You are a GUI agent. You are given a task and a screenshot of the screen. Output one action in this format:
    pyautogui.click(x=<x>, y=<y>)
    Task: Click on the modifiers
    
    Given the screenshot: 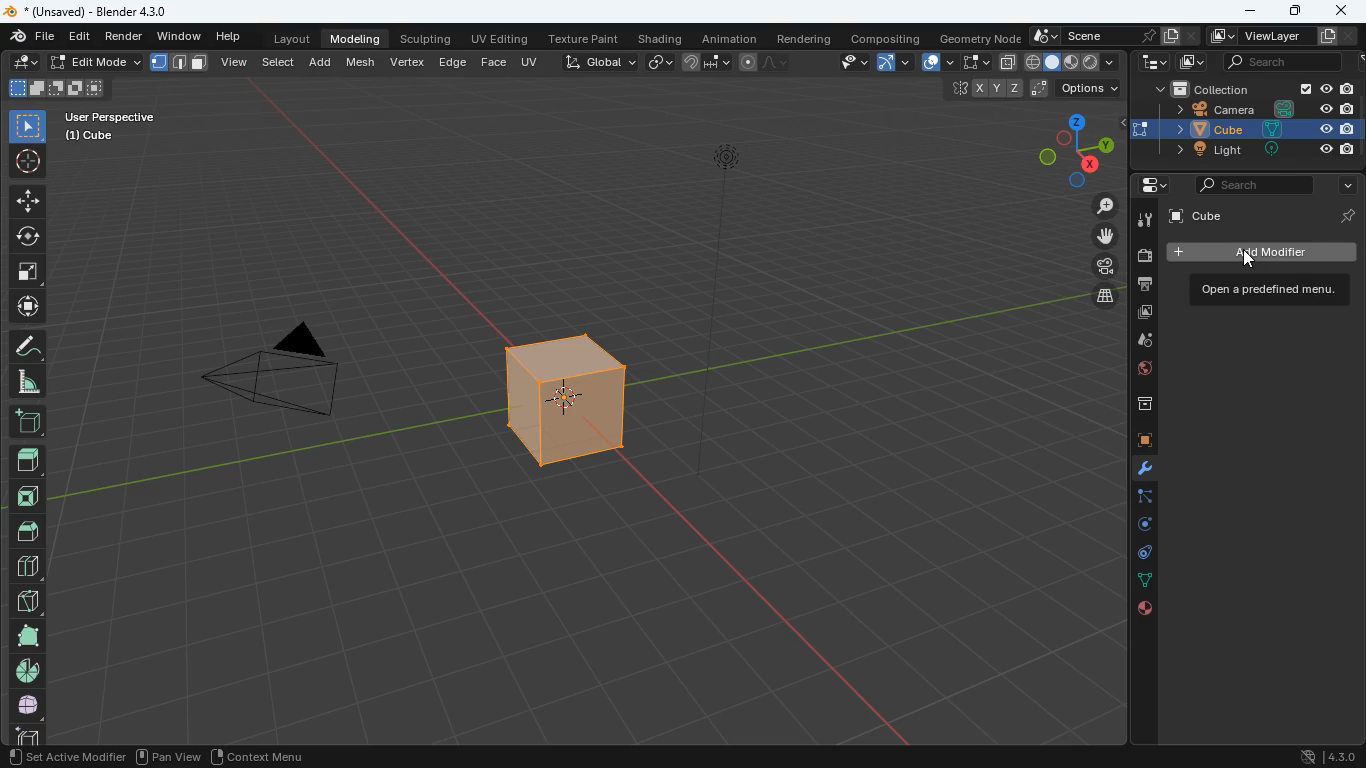 What is the action you would take?
    pyautogui.click(x=1141, y=472)
    